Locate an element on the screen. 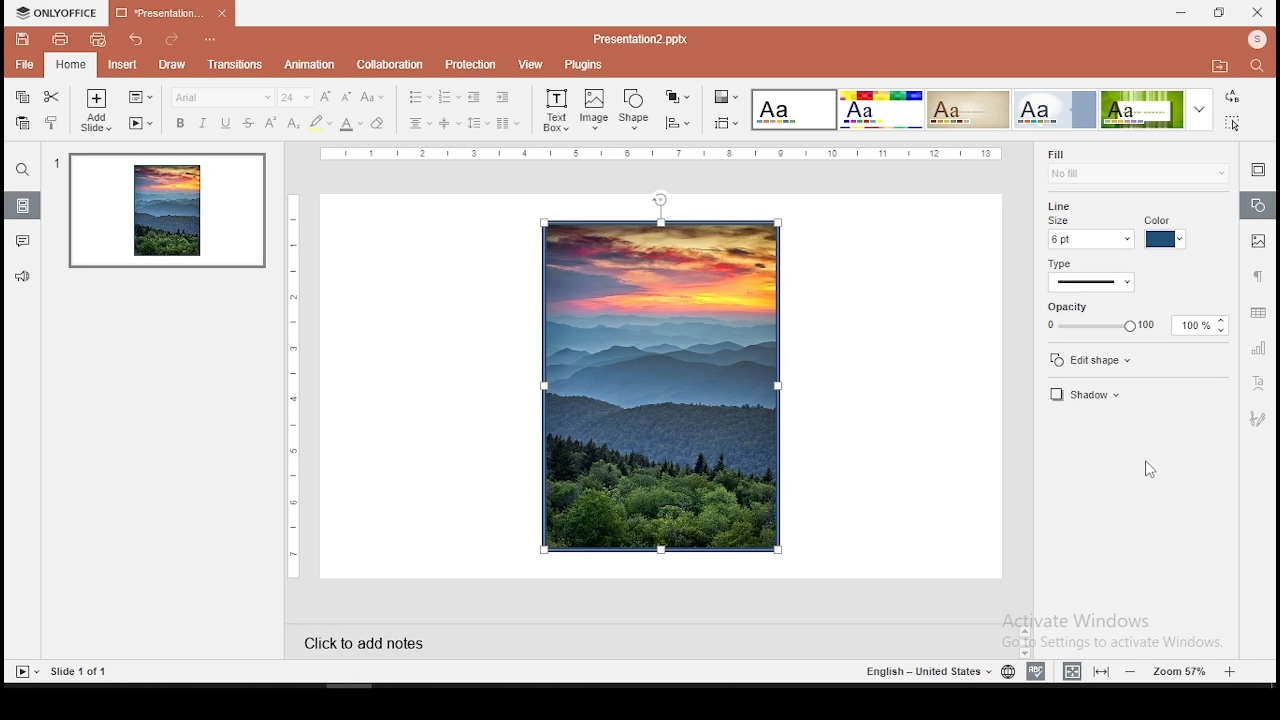 This screenshot has height=720, width=1280. font color is located at coordinates (351, 124).